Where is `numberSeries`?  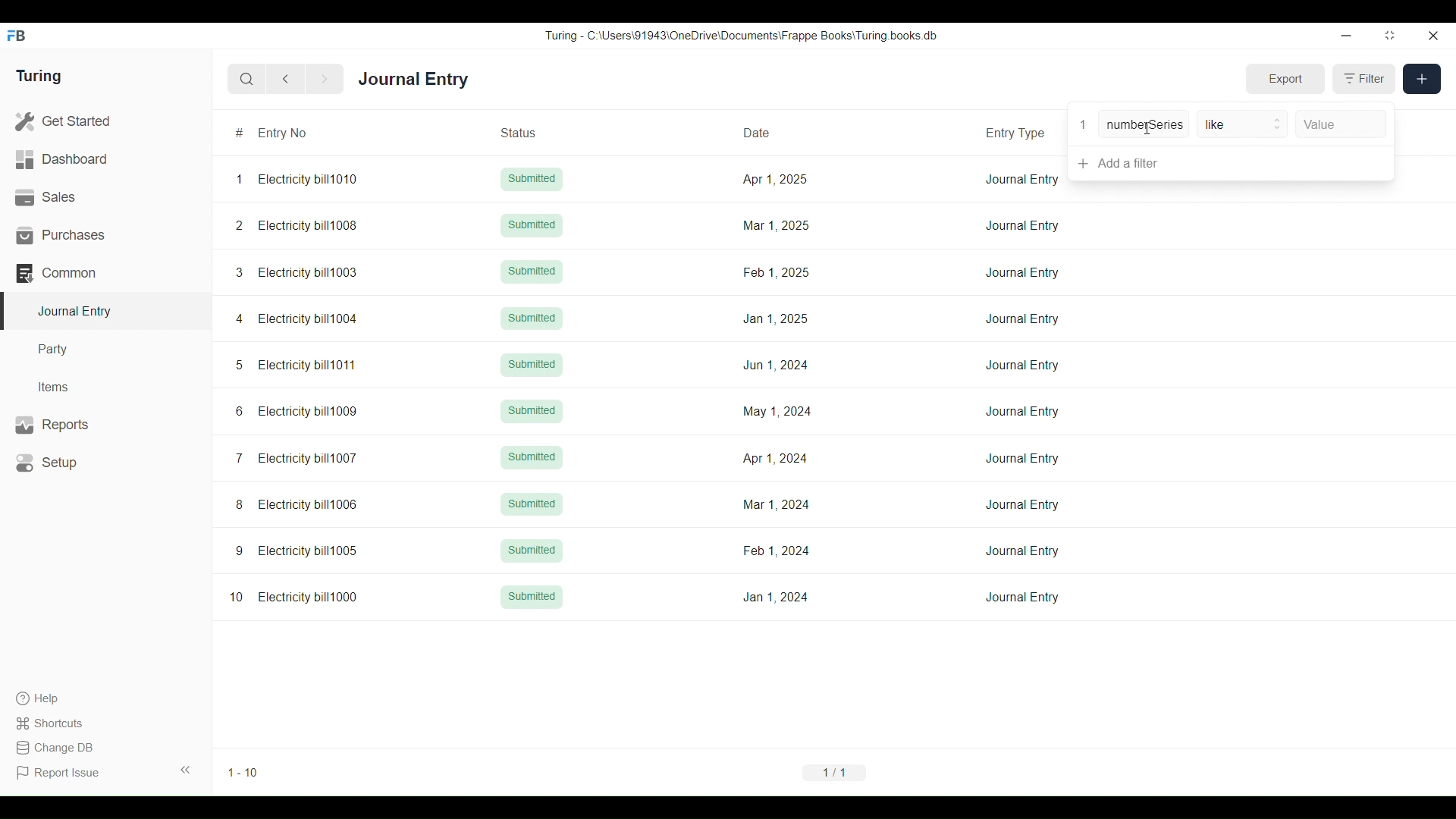 numberSeries is located at coordinates (1144, 124).